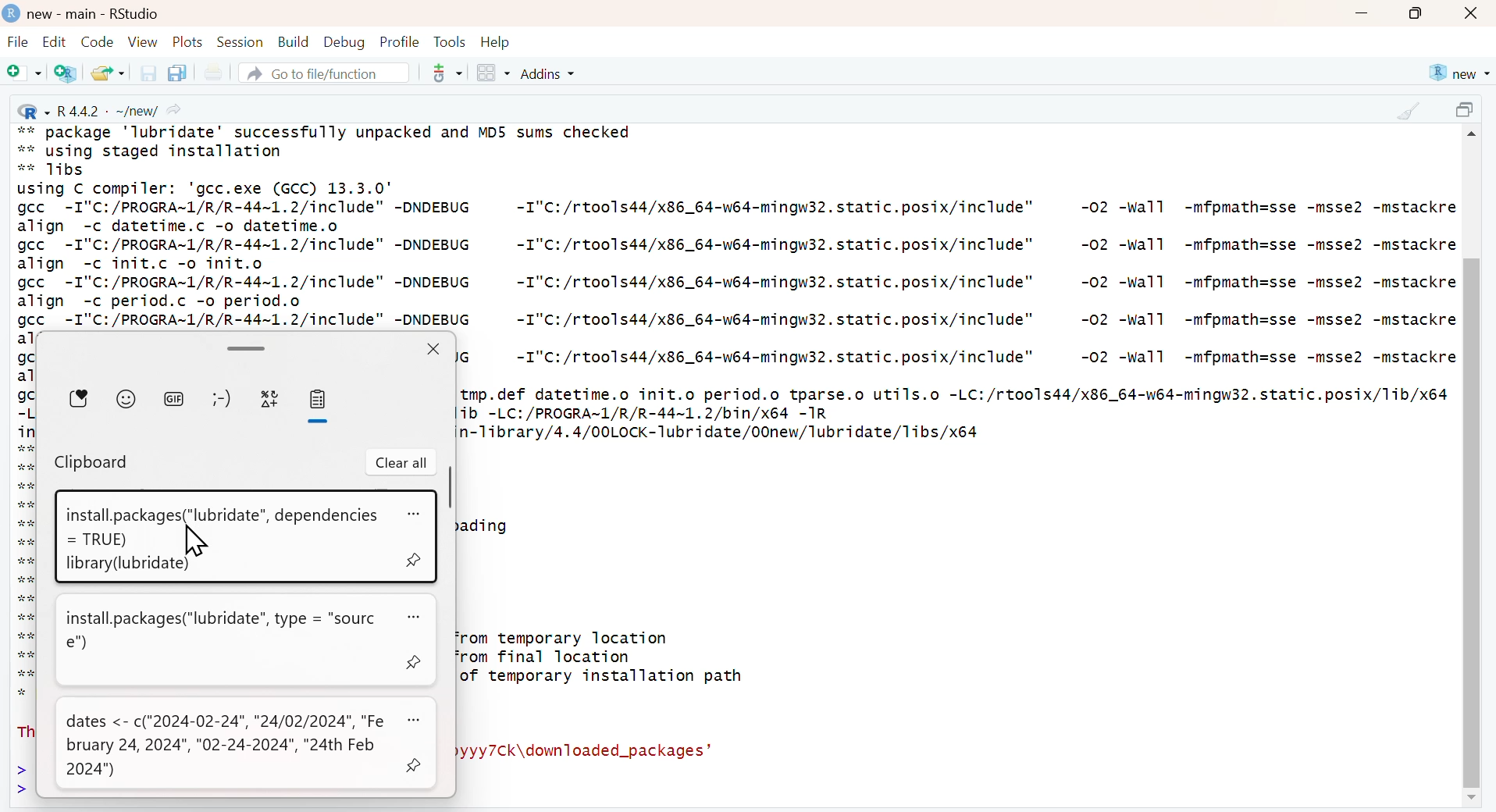  Describe the element at coordinates (196, 542) in the screenshot. I see `cursor` at that location.